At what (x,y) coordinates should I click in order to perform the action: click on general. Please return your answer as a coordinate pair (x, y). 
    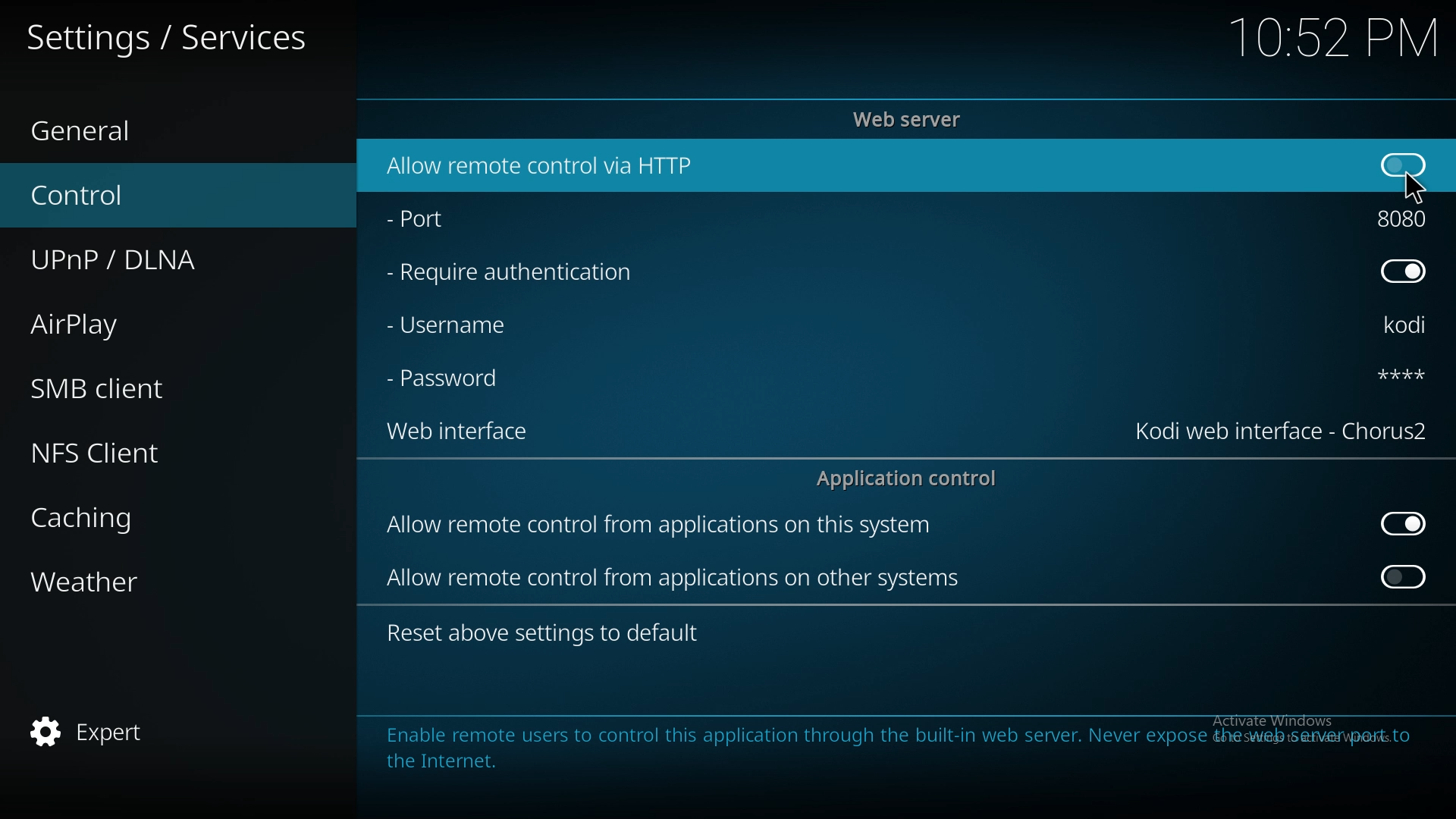
    Looking at the image, I should click on (160, 132).